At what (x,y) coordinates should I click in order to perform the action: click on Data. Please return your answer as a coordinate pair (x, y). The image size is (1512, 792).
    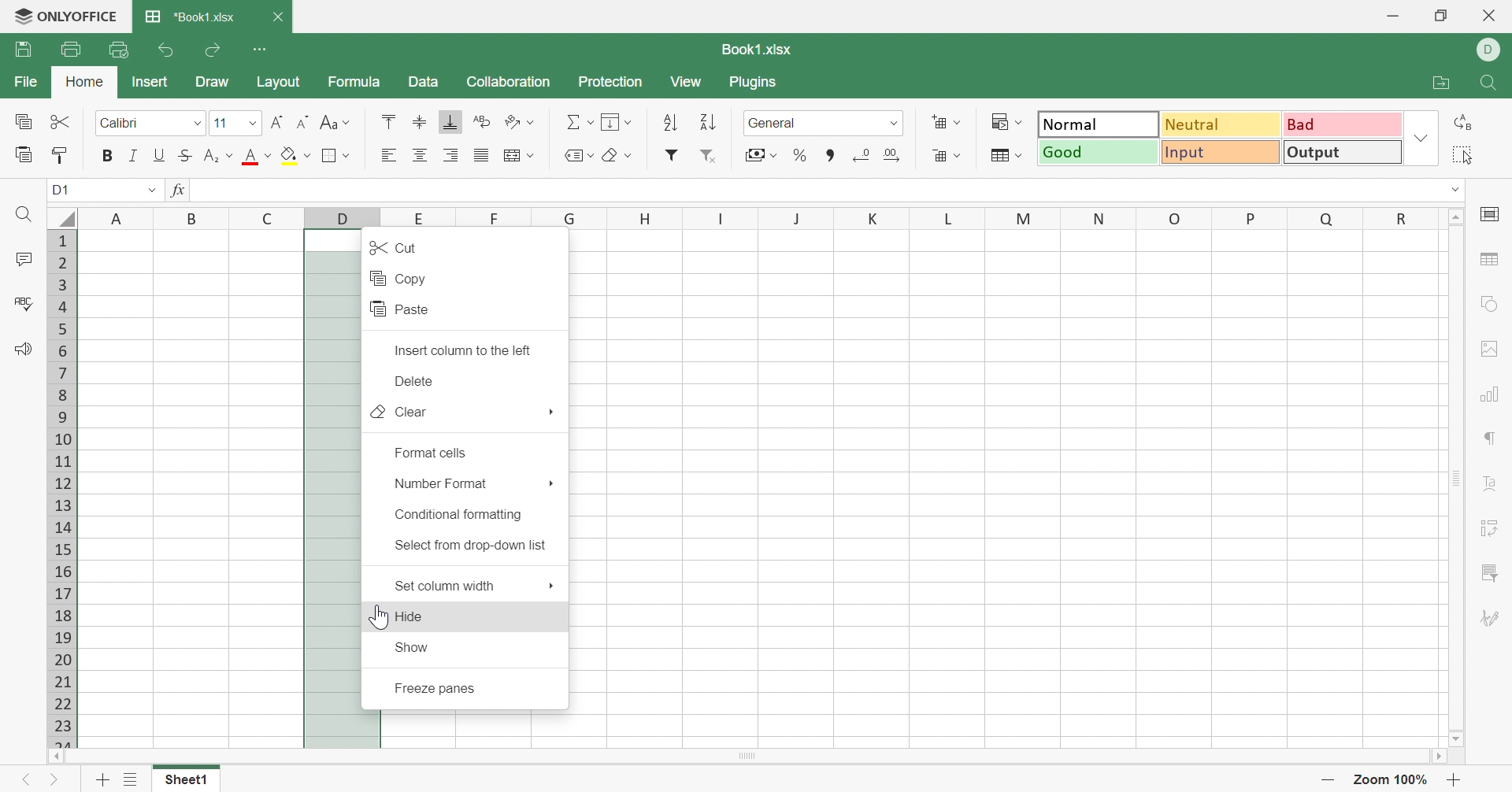
    Looking at the image, I should click on (428, 81).